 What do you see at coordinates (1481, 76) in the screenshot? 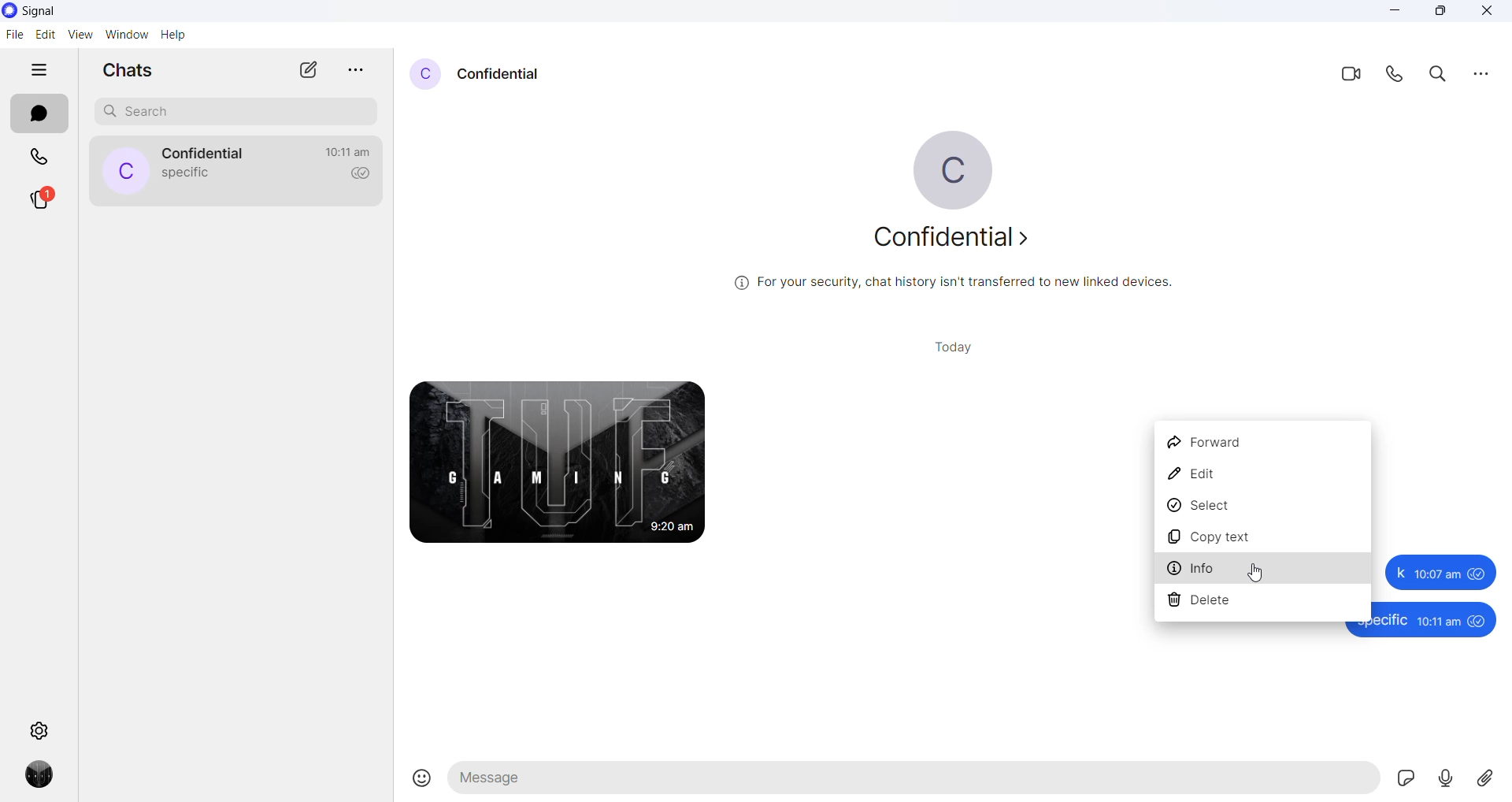
I see `more options` at bounding box center [1481, 76].